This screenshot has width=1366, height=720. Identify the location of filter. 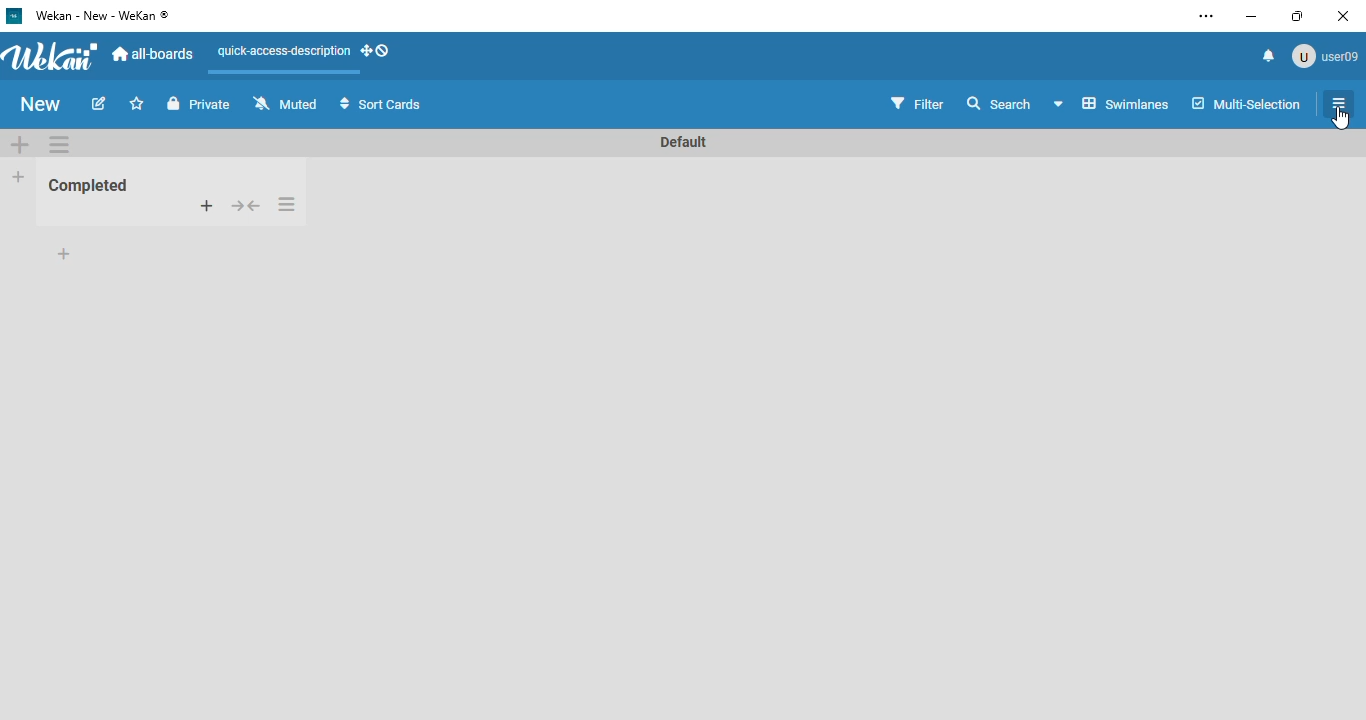
(916, 104).